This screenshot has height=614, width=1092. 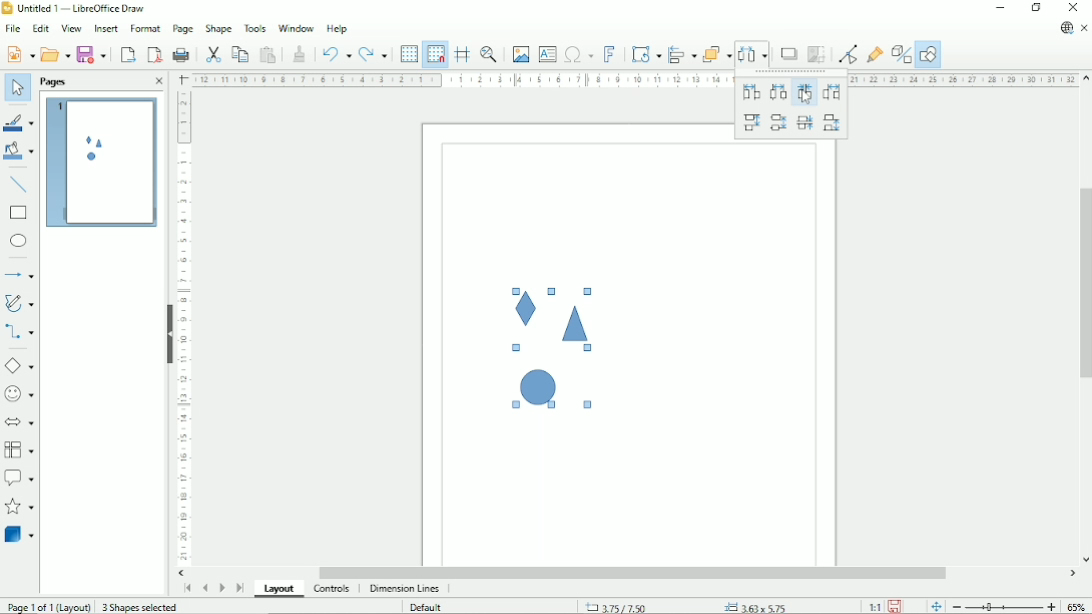 I want to click on Basic shapes , so click(x=19, y=365).